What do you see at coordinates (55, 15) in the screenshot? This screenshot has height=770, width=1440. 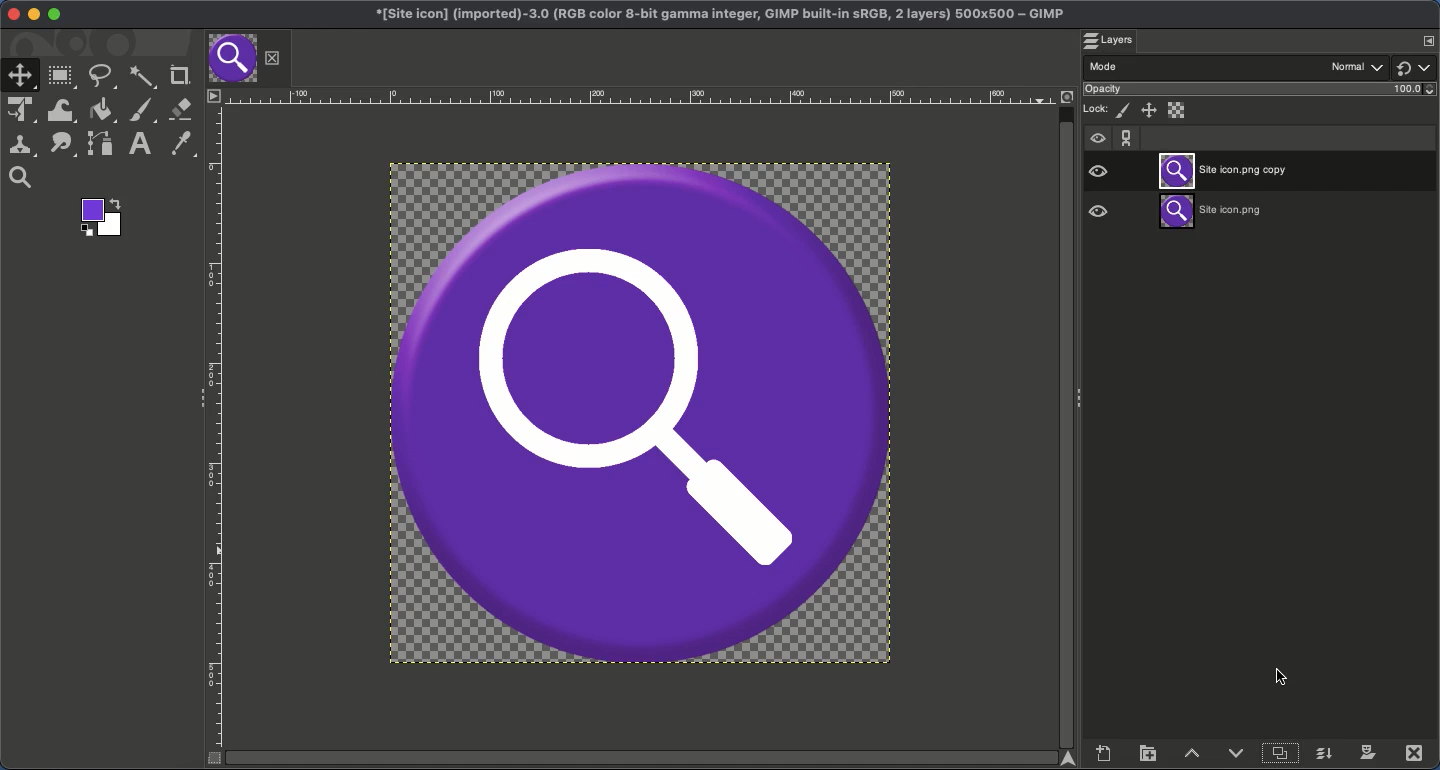 I see `Maximize` at bounding box center [55, 15].